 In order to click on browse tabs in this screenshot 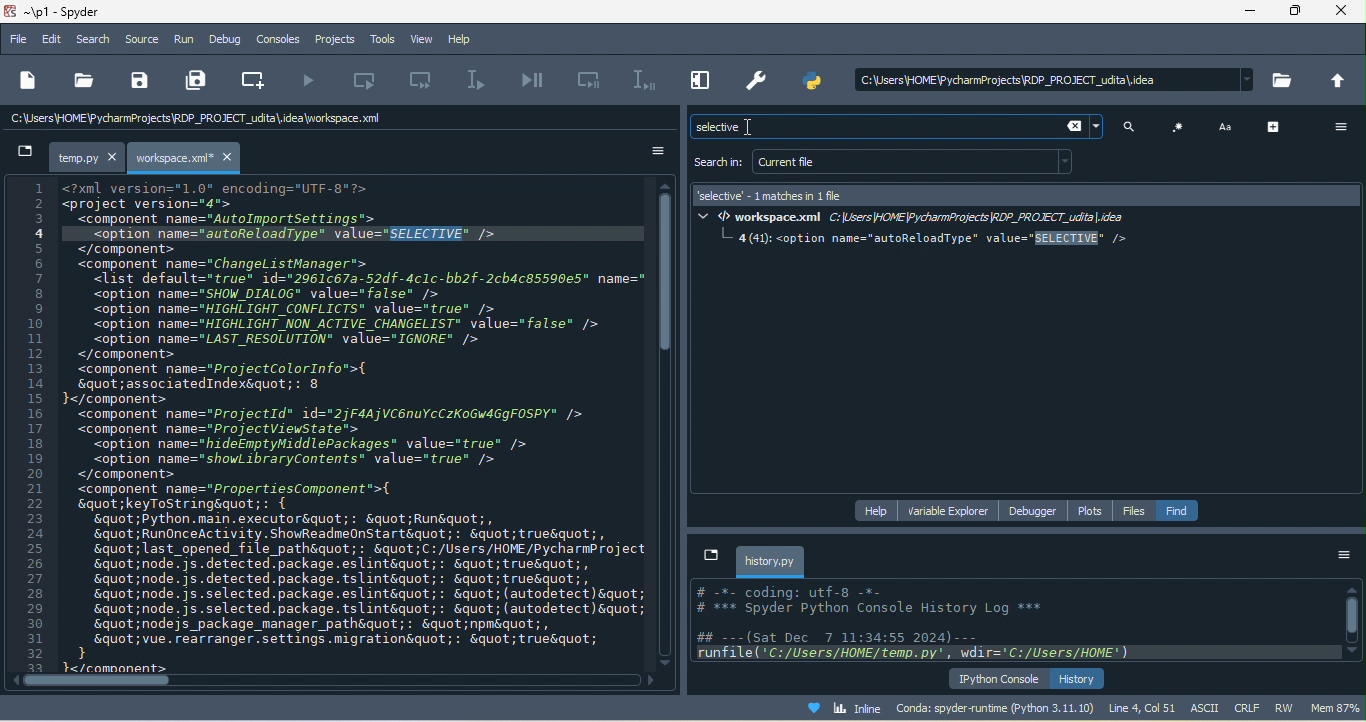, I will do `click(709, 555)`.